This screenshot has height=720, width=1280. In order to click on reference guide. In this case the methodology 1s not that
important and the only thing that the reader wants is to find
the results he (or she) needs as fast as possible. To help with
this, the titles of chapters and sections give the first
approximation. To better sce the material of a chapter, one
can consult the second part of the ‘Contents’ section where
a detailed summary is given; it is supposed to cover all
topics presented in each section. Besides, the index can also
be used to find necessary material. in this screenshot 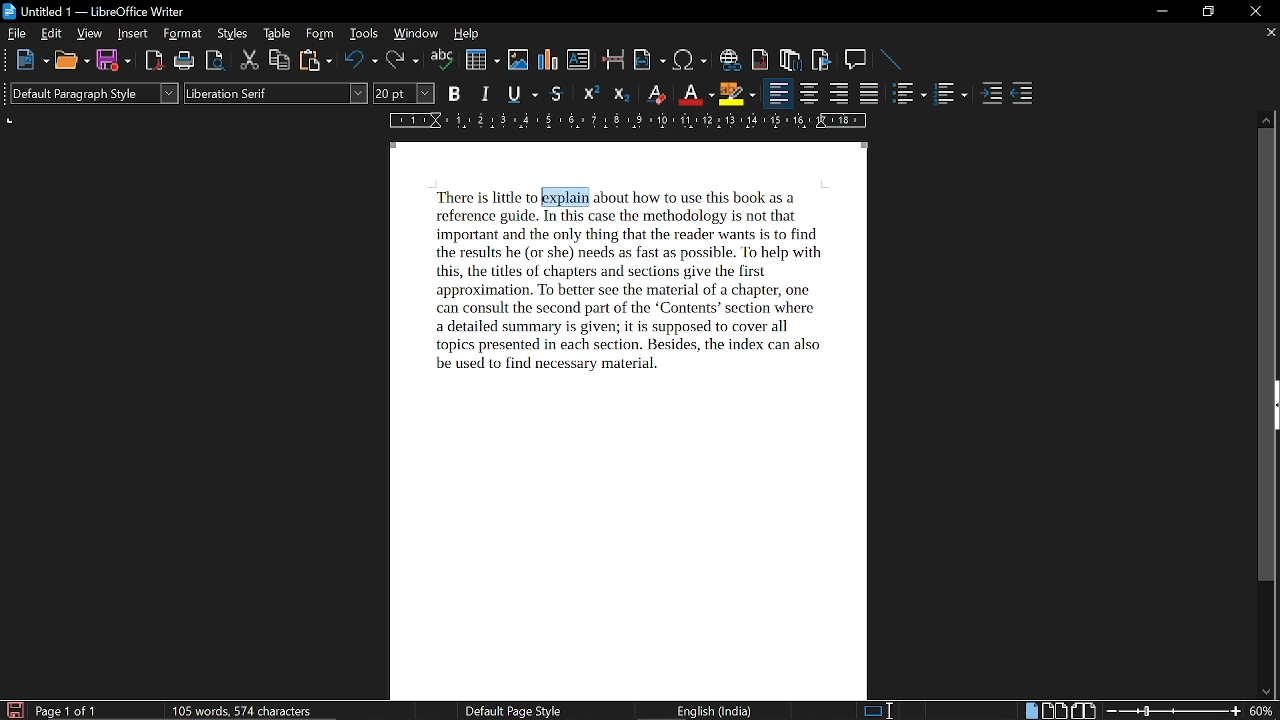, I will do `click(627, 291)`.